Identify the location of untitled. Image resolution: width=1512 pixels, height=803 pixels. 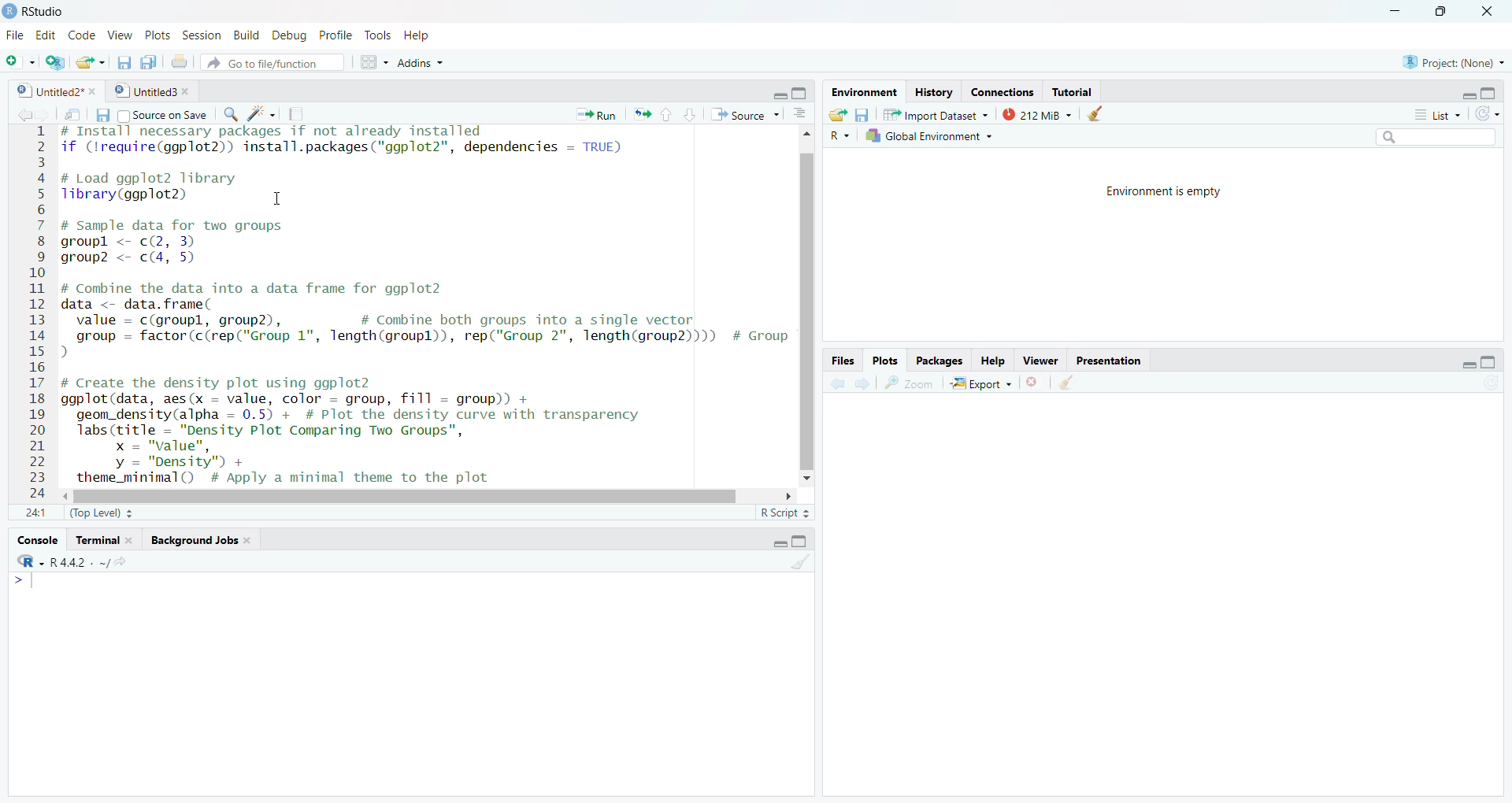
(150, 92).